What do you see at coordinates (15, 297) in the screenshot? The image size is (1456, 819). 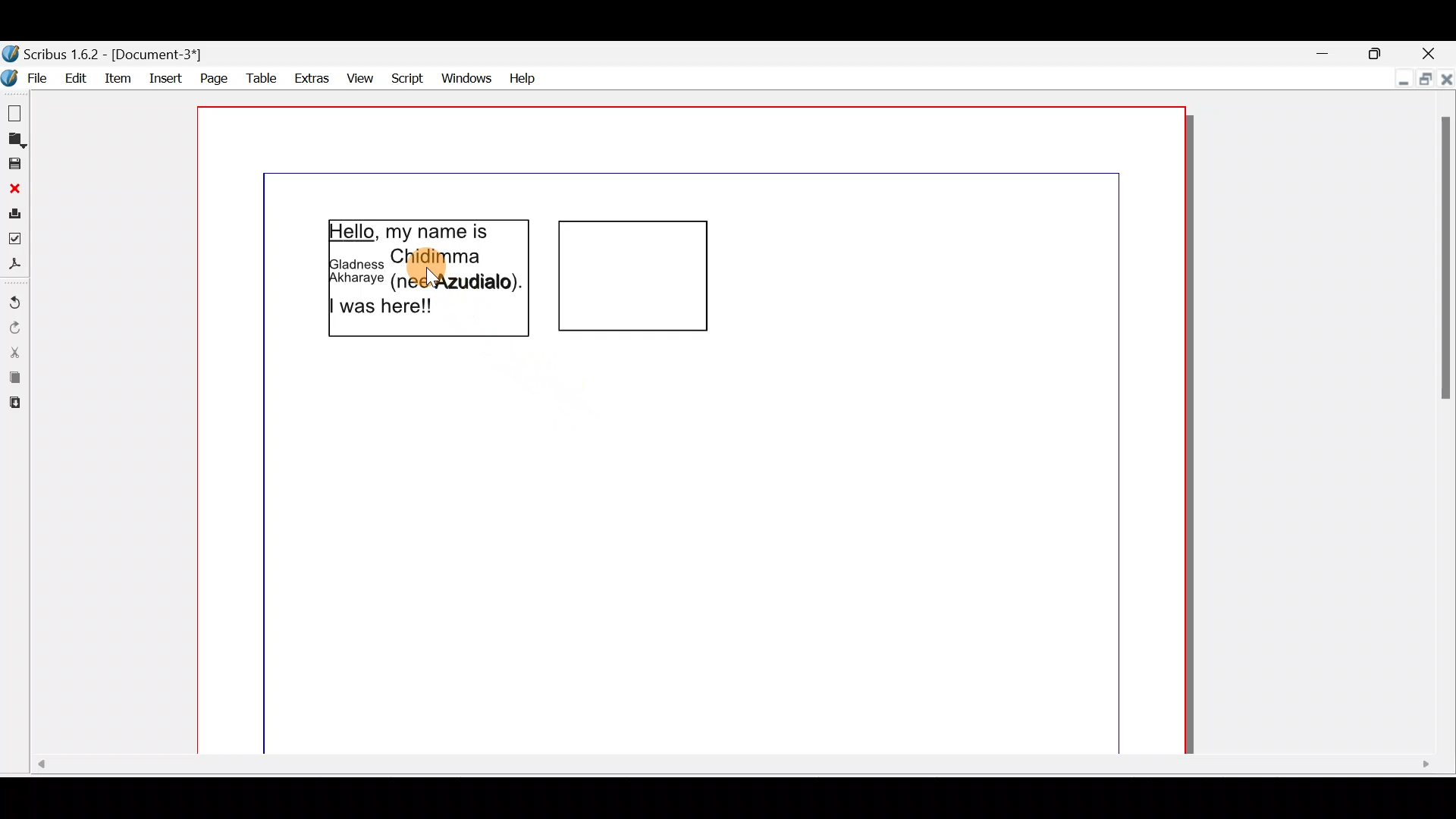 I see `Undo` at bounding box center [15, 297].